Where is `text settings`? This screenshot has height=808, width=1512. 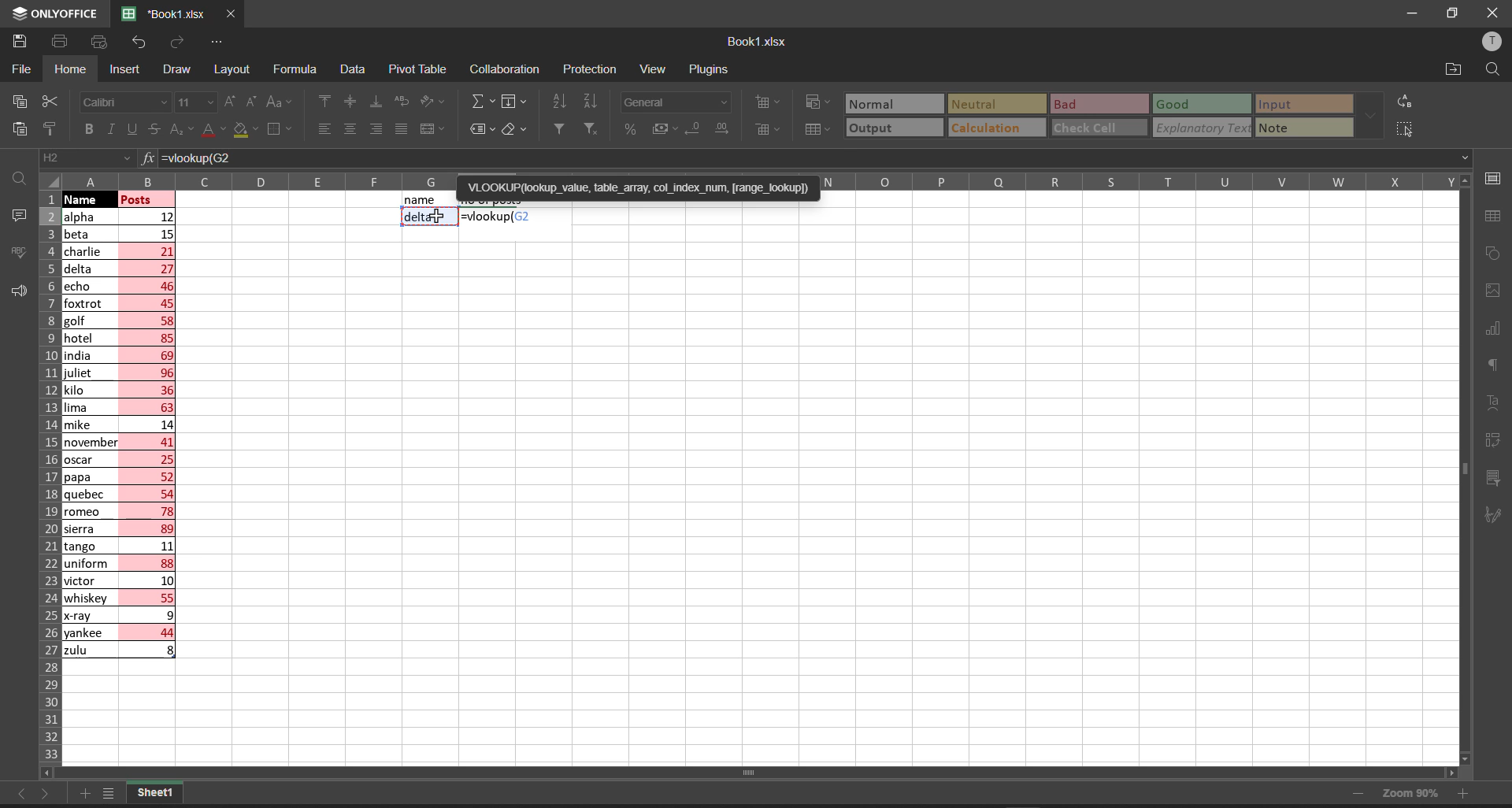
text settings is located at coordinates (1497, 402).